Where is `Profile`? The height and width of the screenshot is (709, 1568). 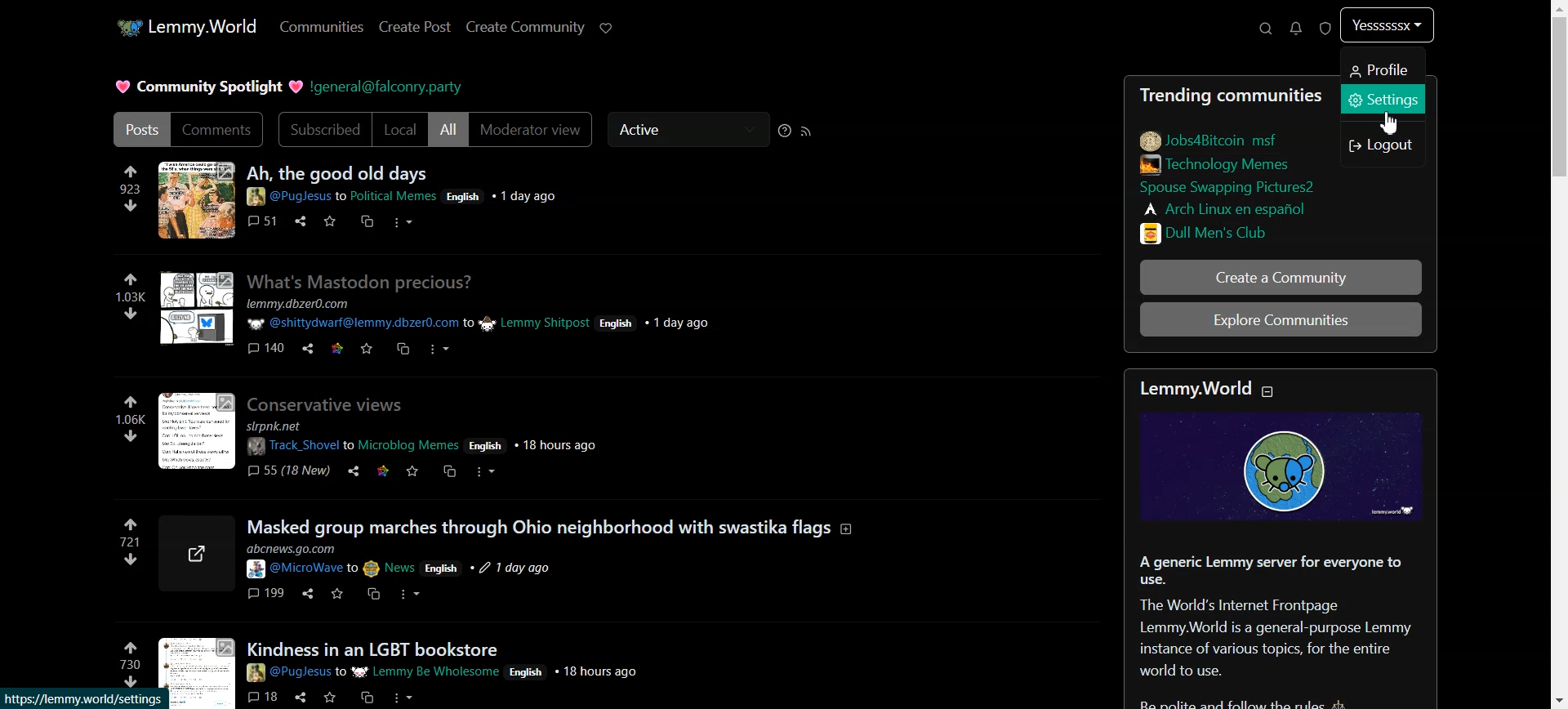 Profile is located at coordinates (1390, 27).